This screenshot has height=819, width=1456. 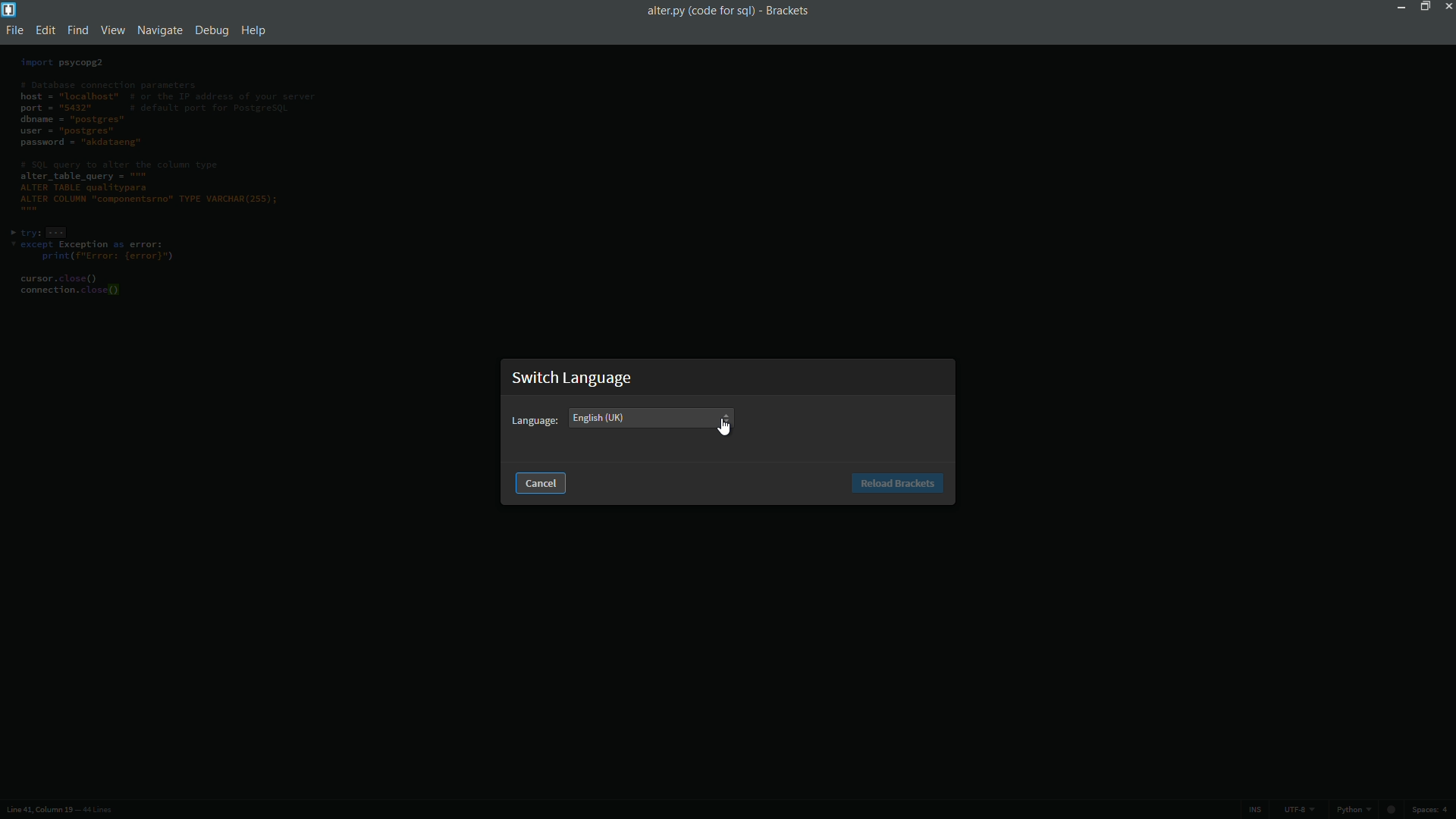 I want to click on app name, so click(x=790, y=11).